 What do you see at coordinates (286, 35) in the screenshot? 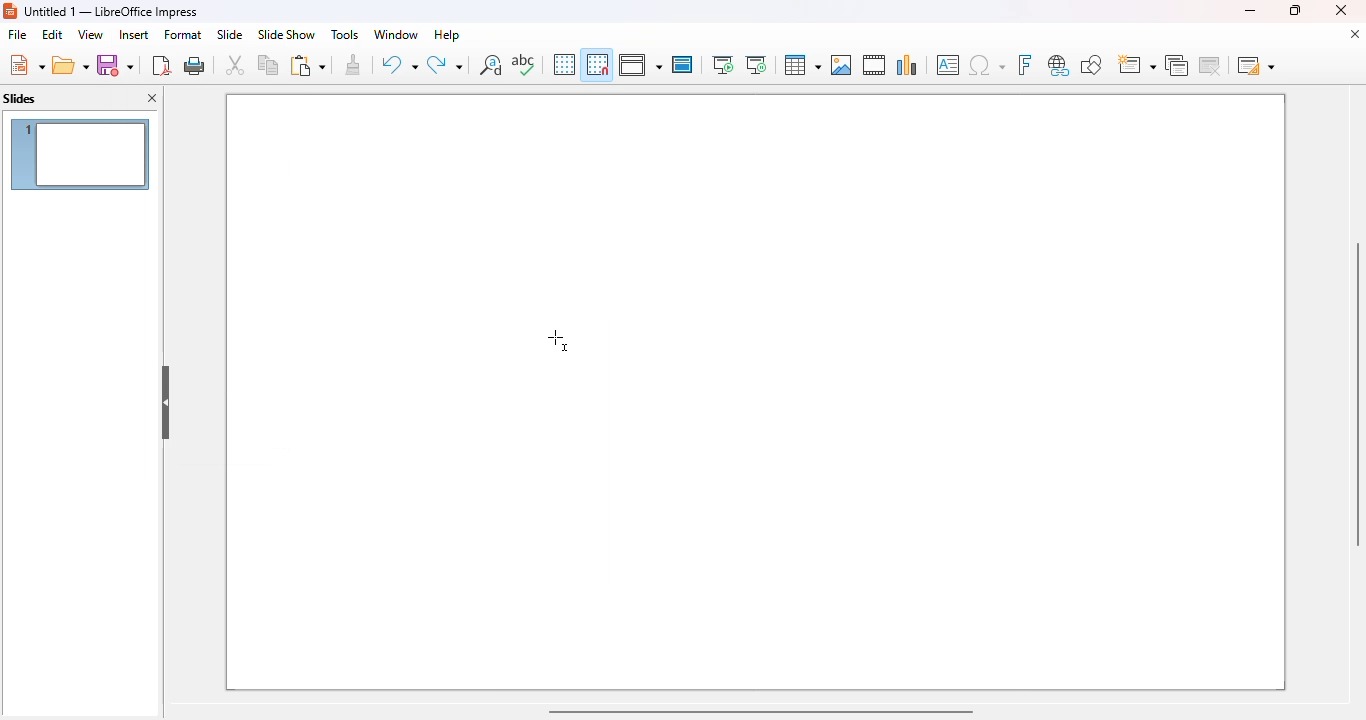
I see `slide show` at bounding box center [286, 35].